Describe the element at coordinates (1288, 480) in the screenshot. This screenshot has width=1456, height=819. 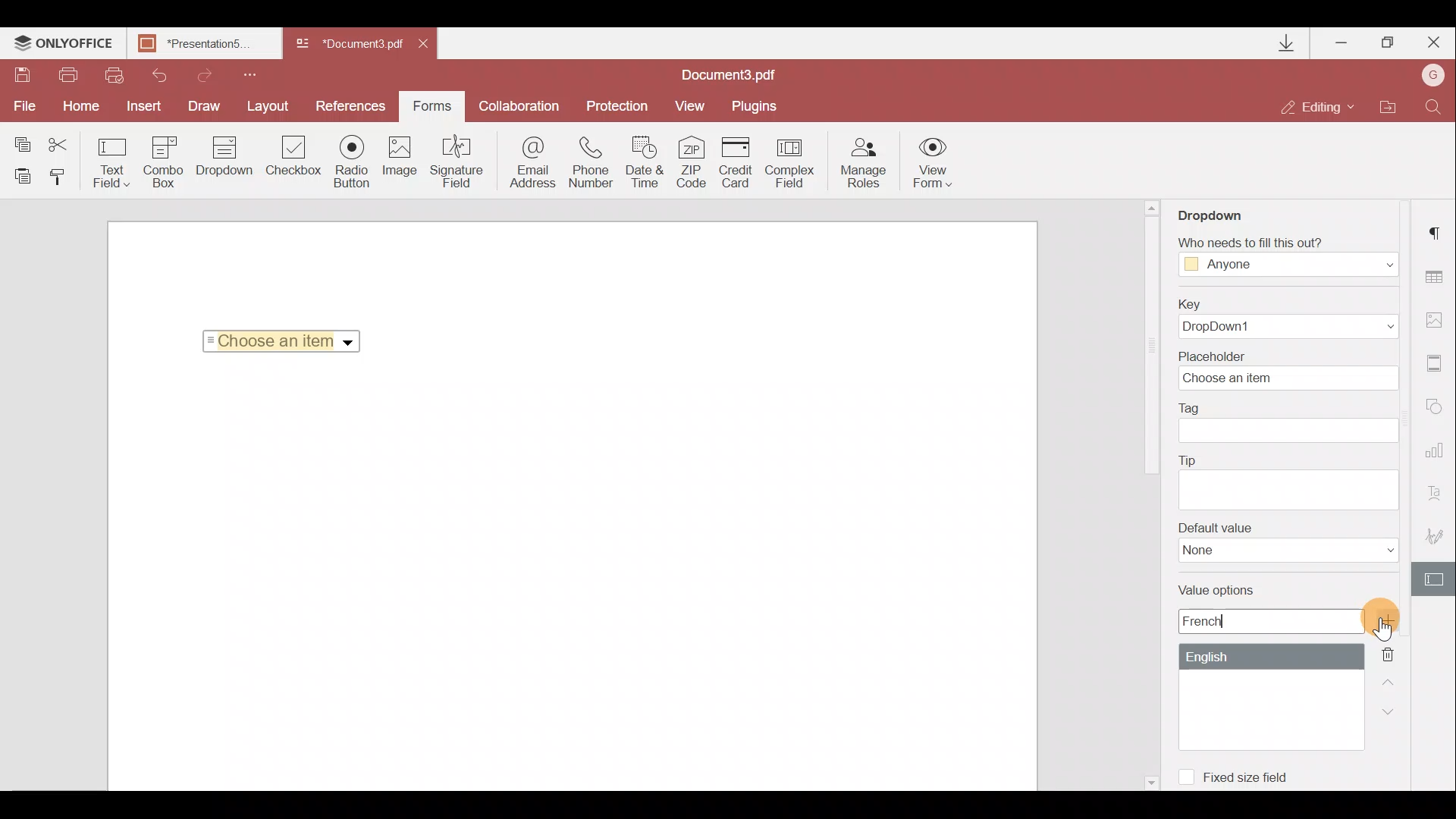
I see `Tip` at that location.